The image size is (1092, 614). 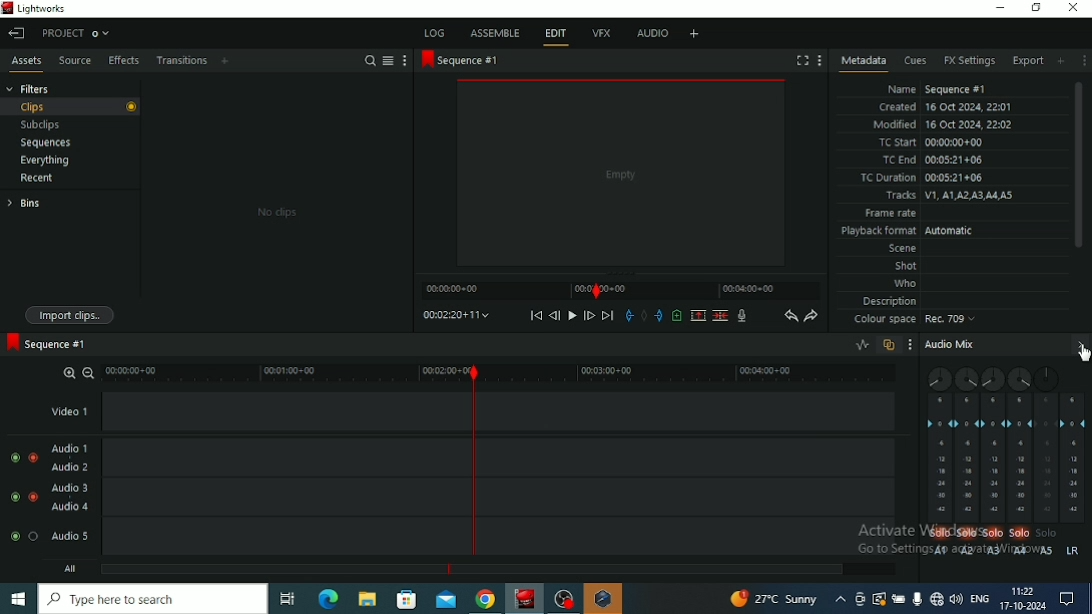 I want to click on Toggle between list and tile view, so click(x=388, y=60).